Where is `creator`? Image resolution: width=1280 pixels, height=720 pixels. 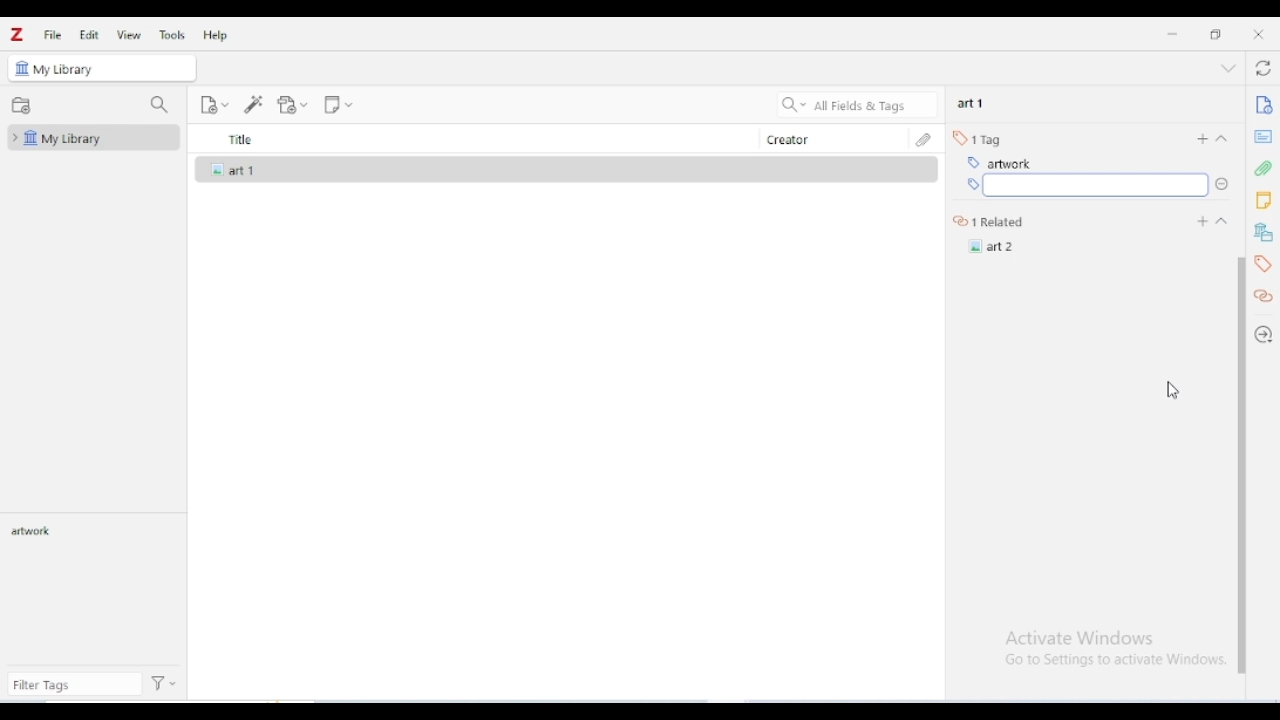
creator is located at coordinates (831, 139).